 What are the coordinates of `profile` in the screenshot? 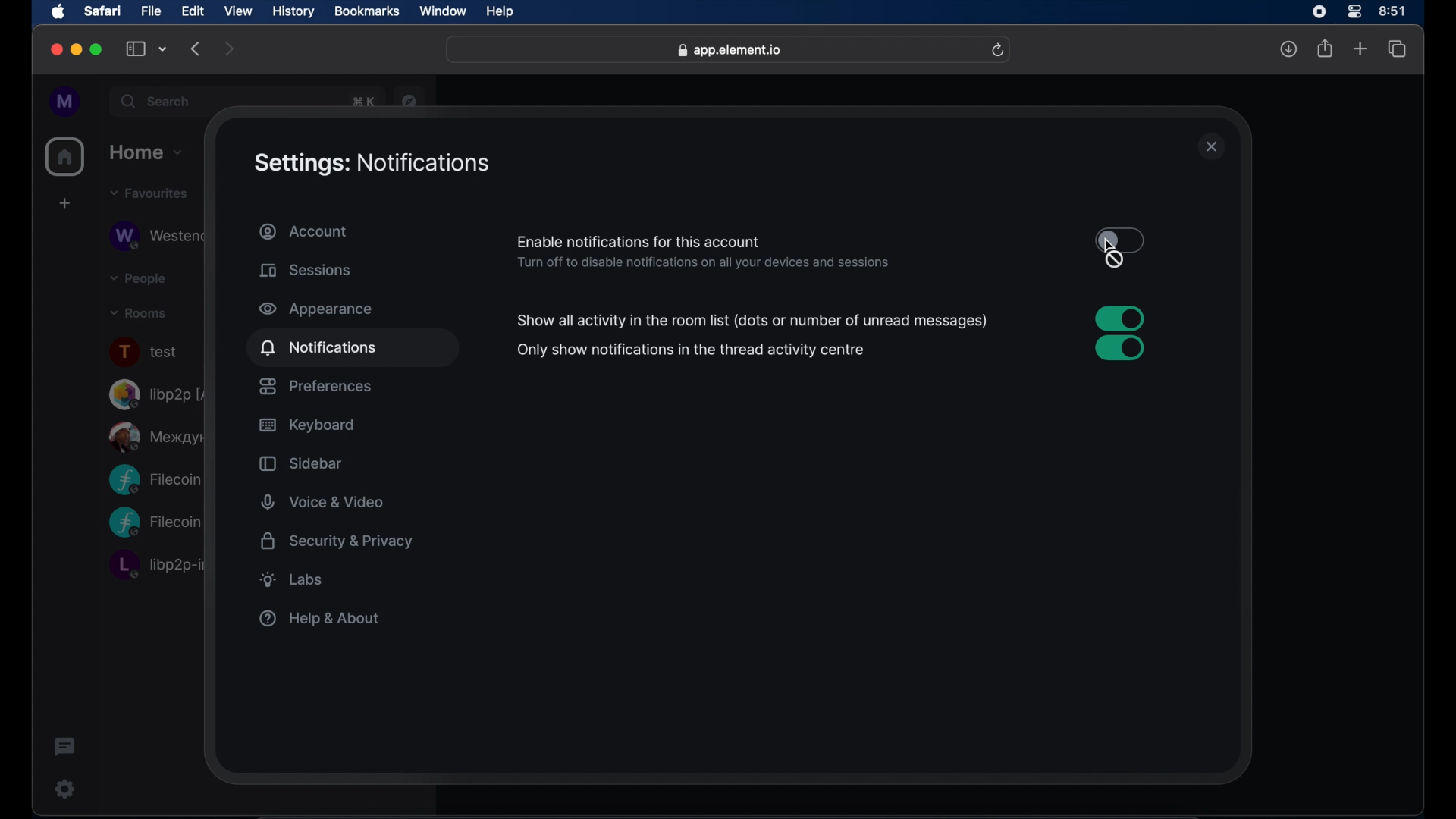 It's located at (64, 102).